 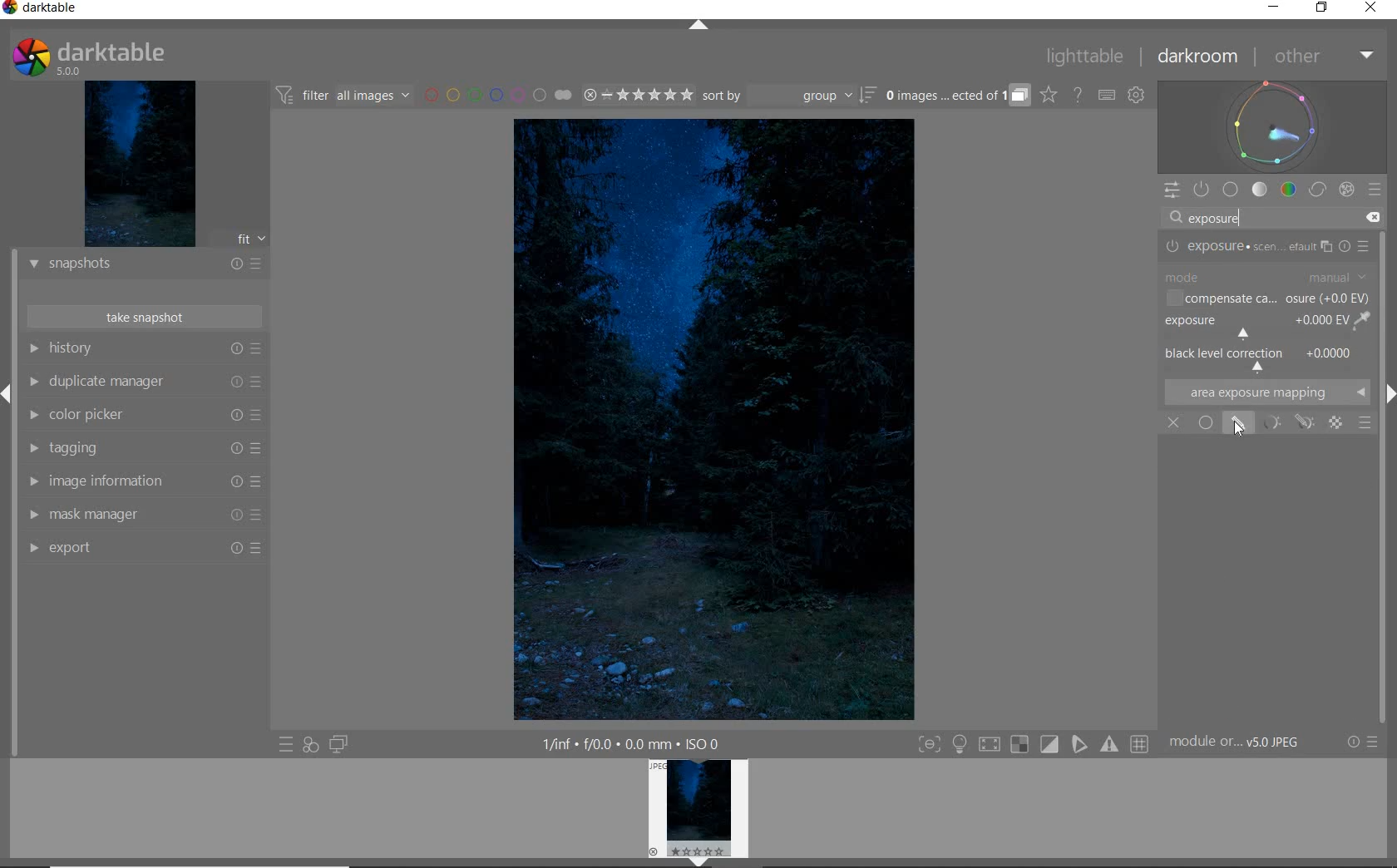 I want to click on IMAGE INFORMATION, so click(x=141, y=482).